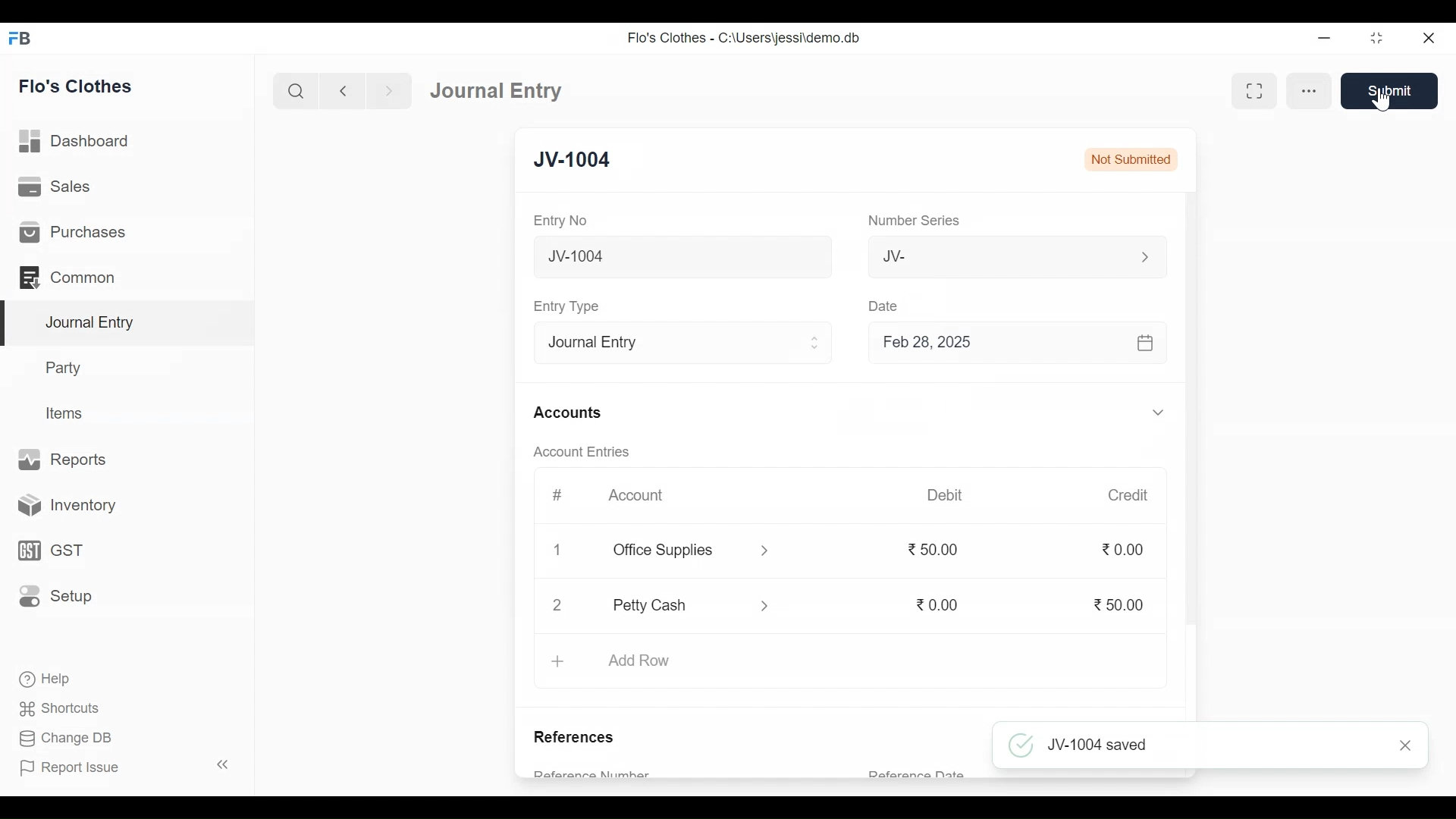  Describe the element at coordinates (1257, 90) in the screenshot. I see `Toggle form and full width` at that location.